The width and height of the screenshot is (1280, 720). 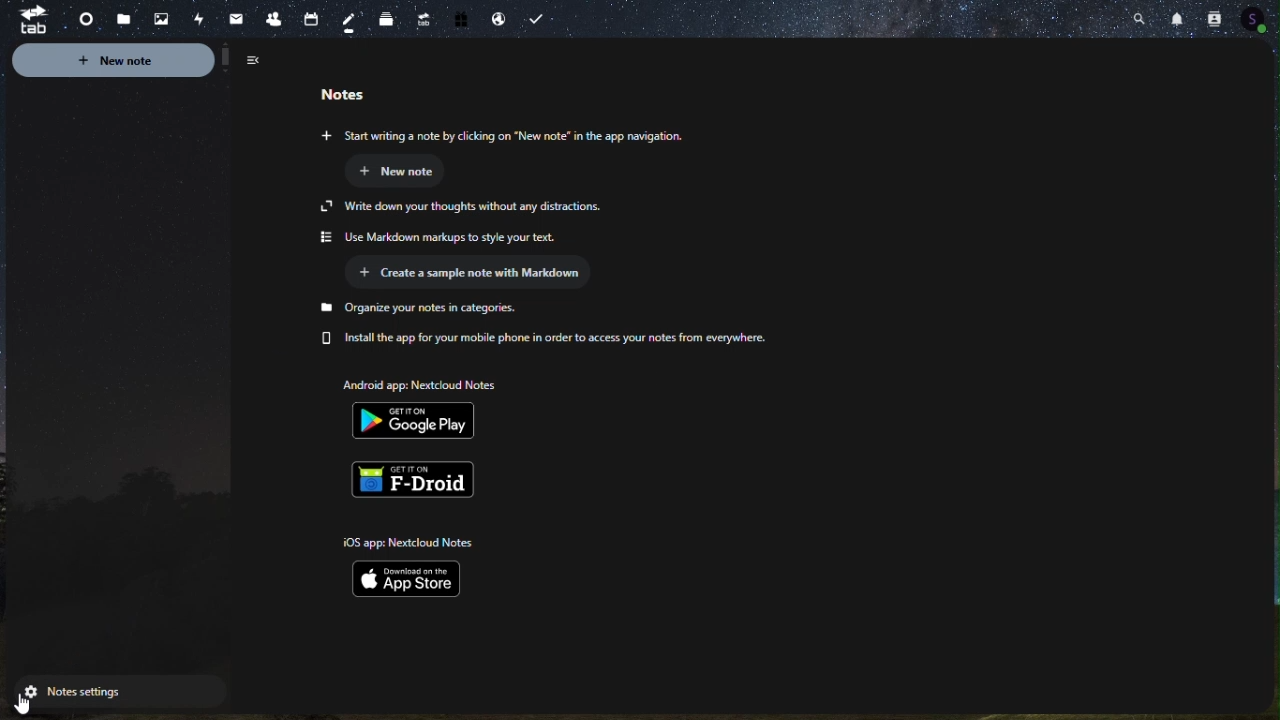 I want to click on Files, so click(x=121, y=19).